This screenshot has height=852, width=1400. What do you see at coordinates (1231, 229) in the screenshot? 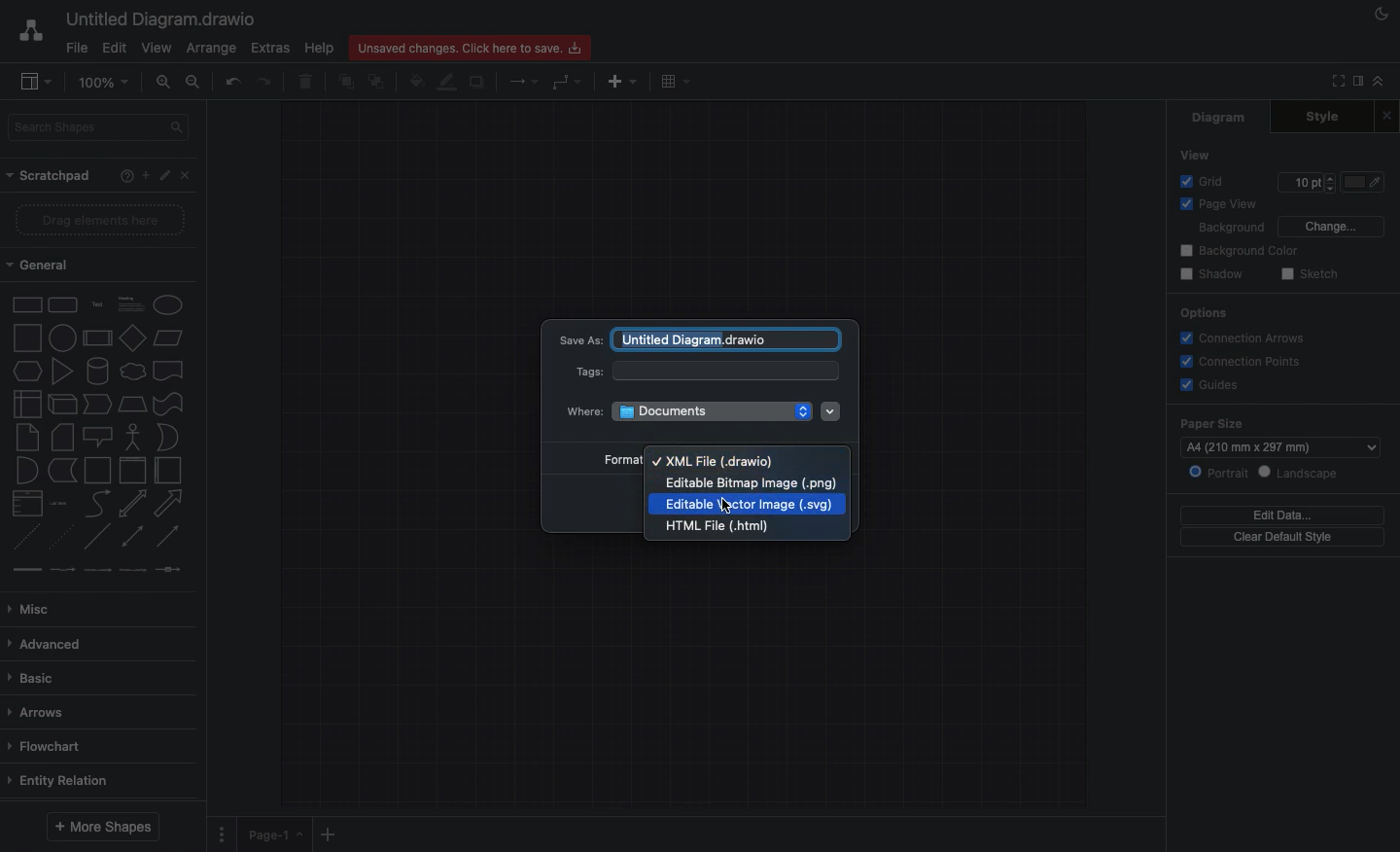
I see `Background` at bounding box center [1231, 229].